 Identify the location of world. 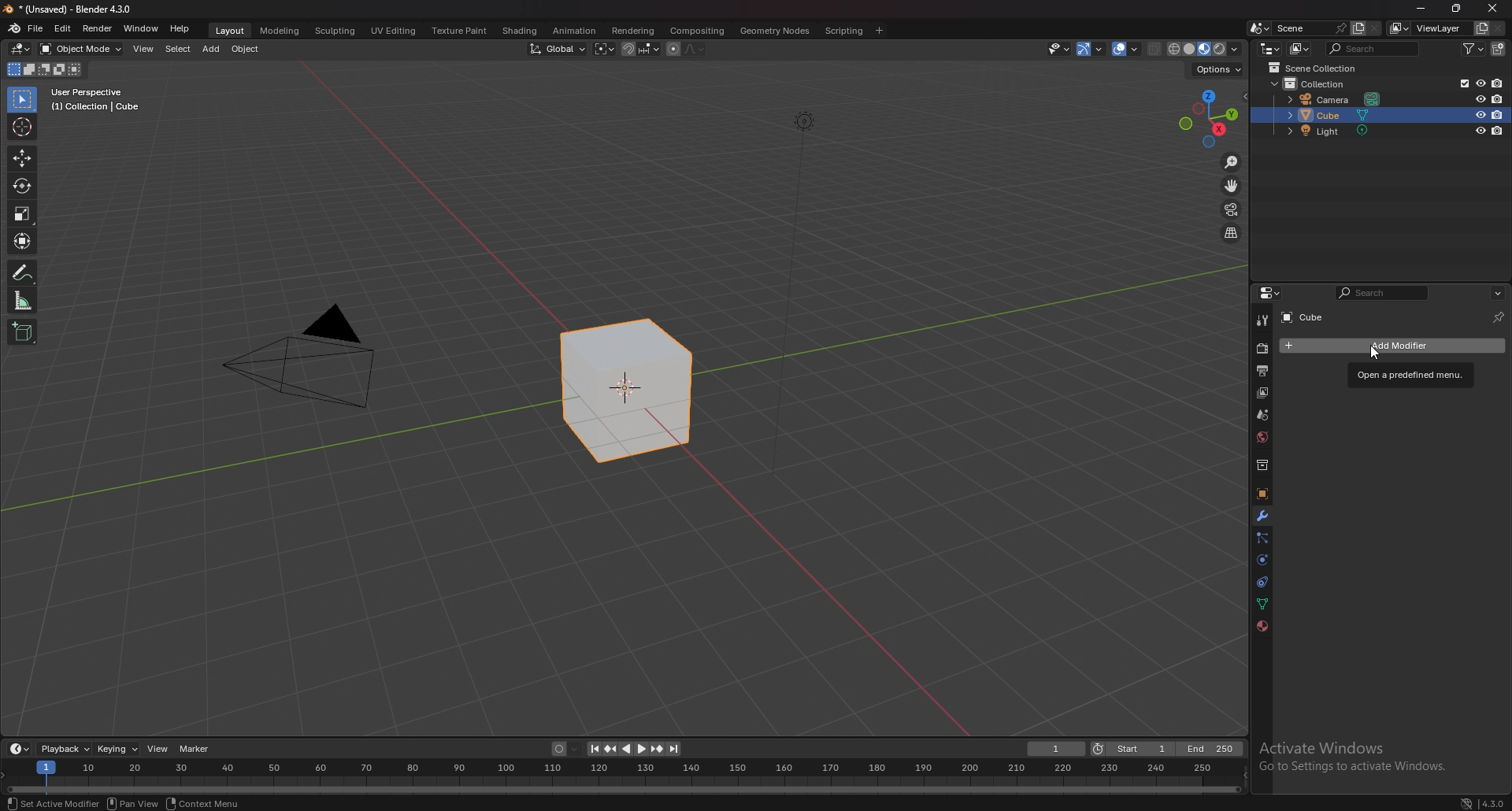
(1260, 437).